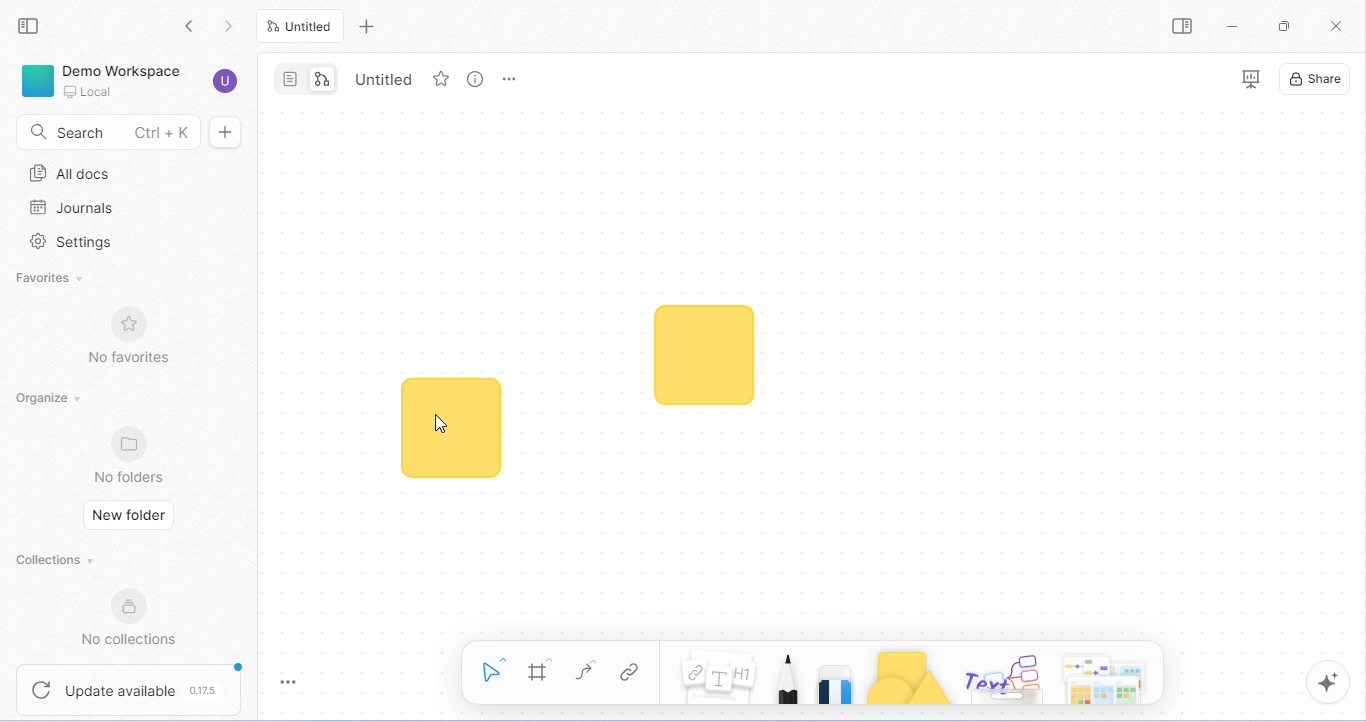 The image size is (1366, 722). Describe the element at coordinates (370, 26) in the screenshot. I see `new tab` at that location.